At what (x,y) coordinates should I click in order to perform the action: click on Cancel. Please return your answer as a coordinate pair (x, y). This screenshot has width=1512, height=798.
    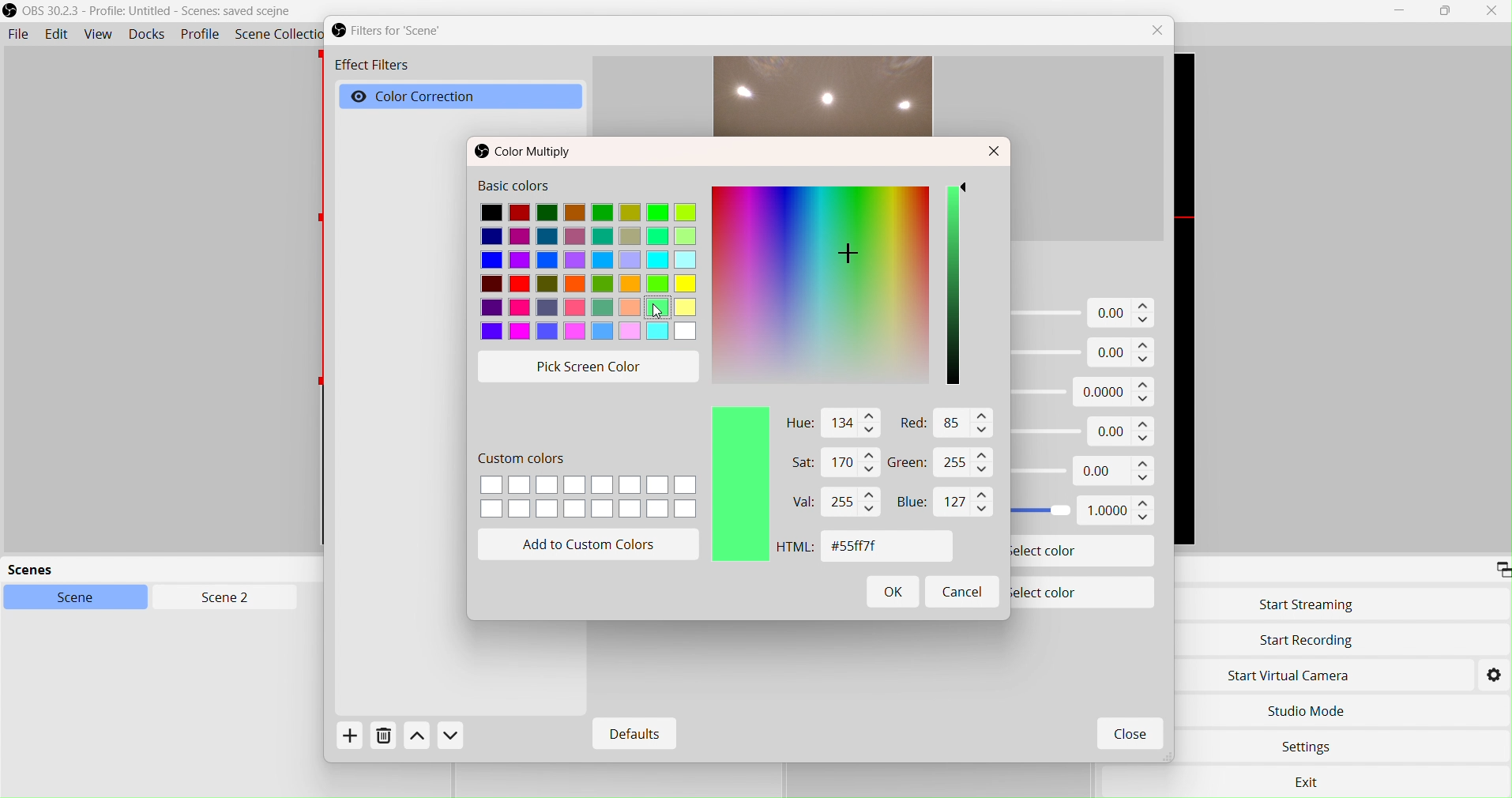
    Looking at the image, I should click on (961, 590).